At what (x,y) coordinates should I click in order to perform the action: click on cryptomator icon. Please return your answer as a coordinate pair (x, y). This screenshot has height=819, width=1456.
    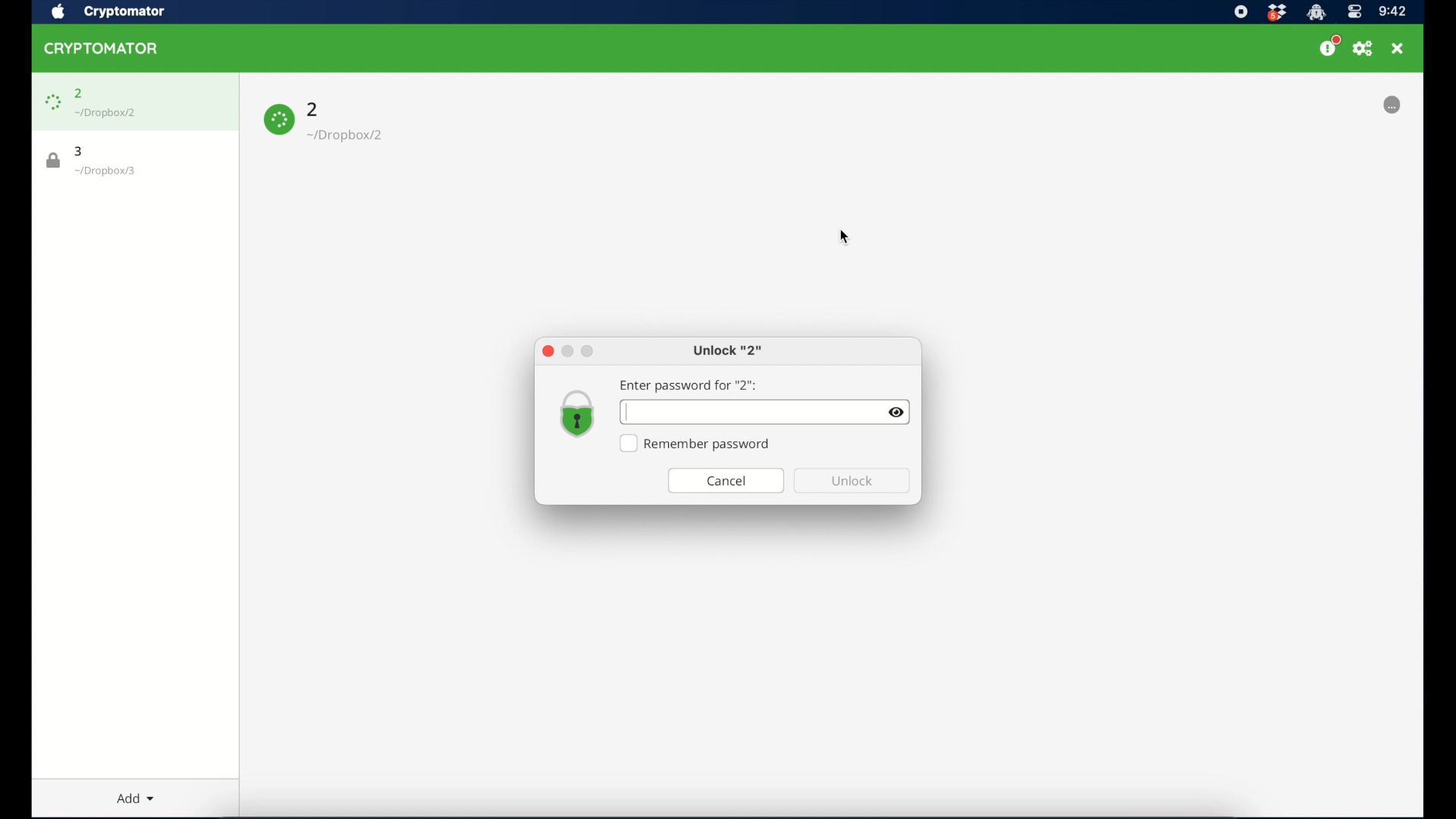
    Looking at the image, I should click on (1316, 13).